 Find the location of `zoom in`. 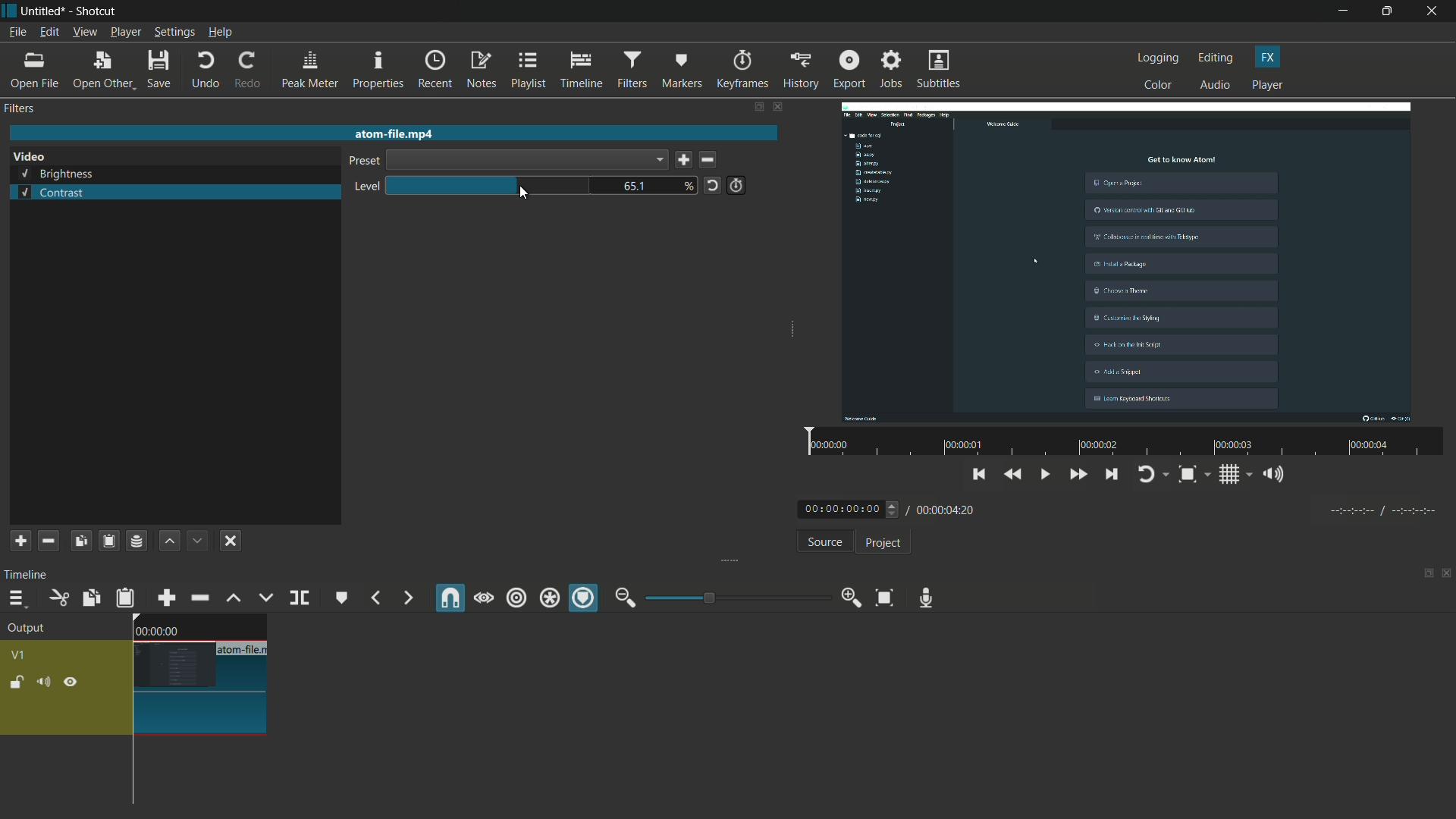

zoom in is located at coordinates (848, 598).